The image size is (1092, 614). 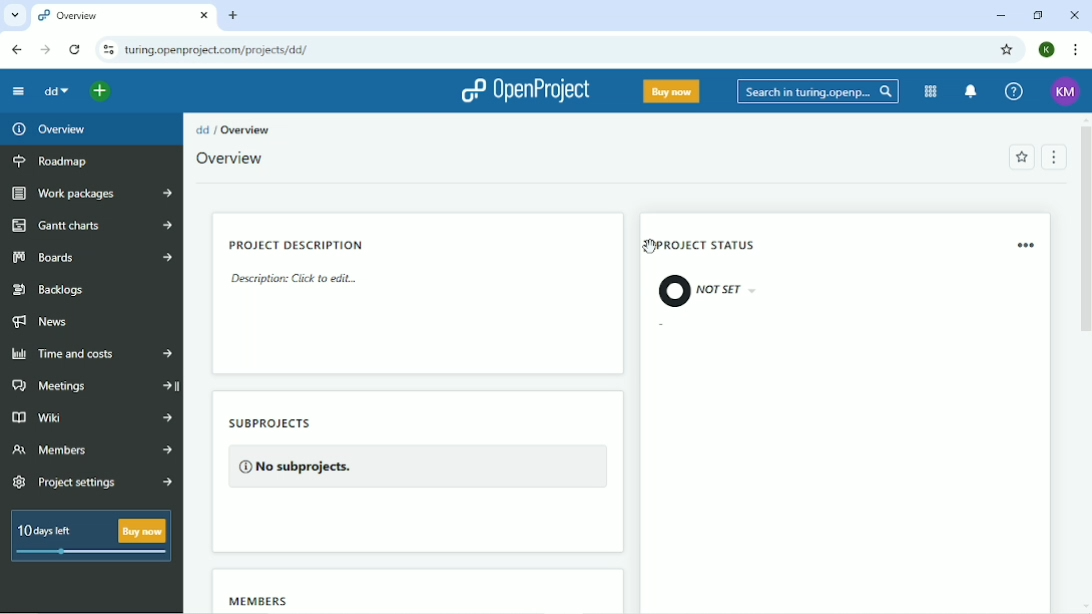 What do you see at coordinates (526, 92) in the screenshot?
I see `OpenProject` at bounding box center [526, 92].